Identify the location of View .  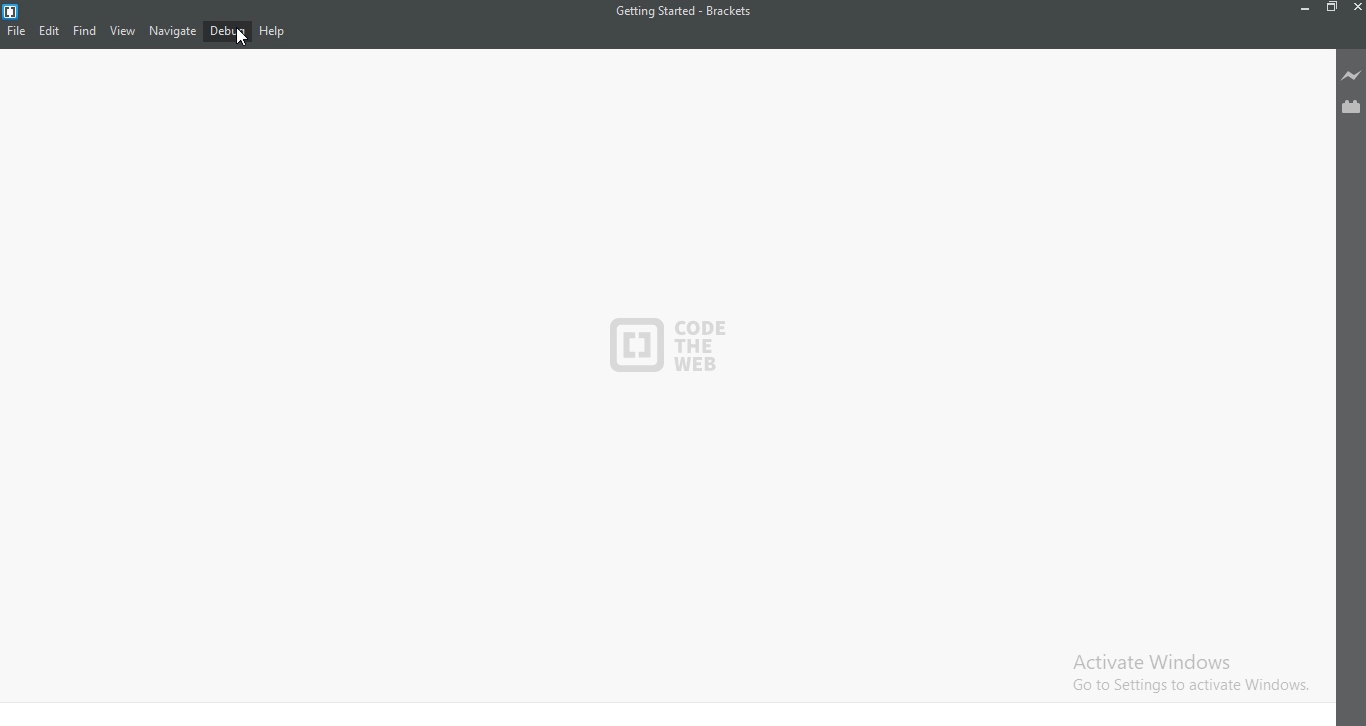
(120, 31).